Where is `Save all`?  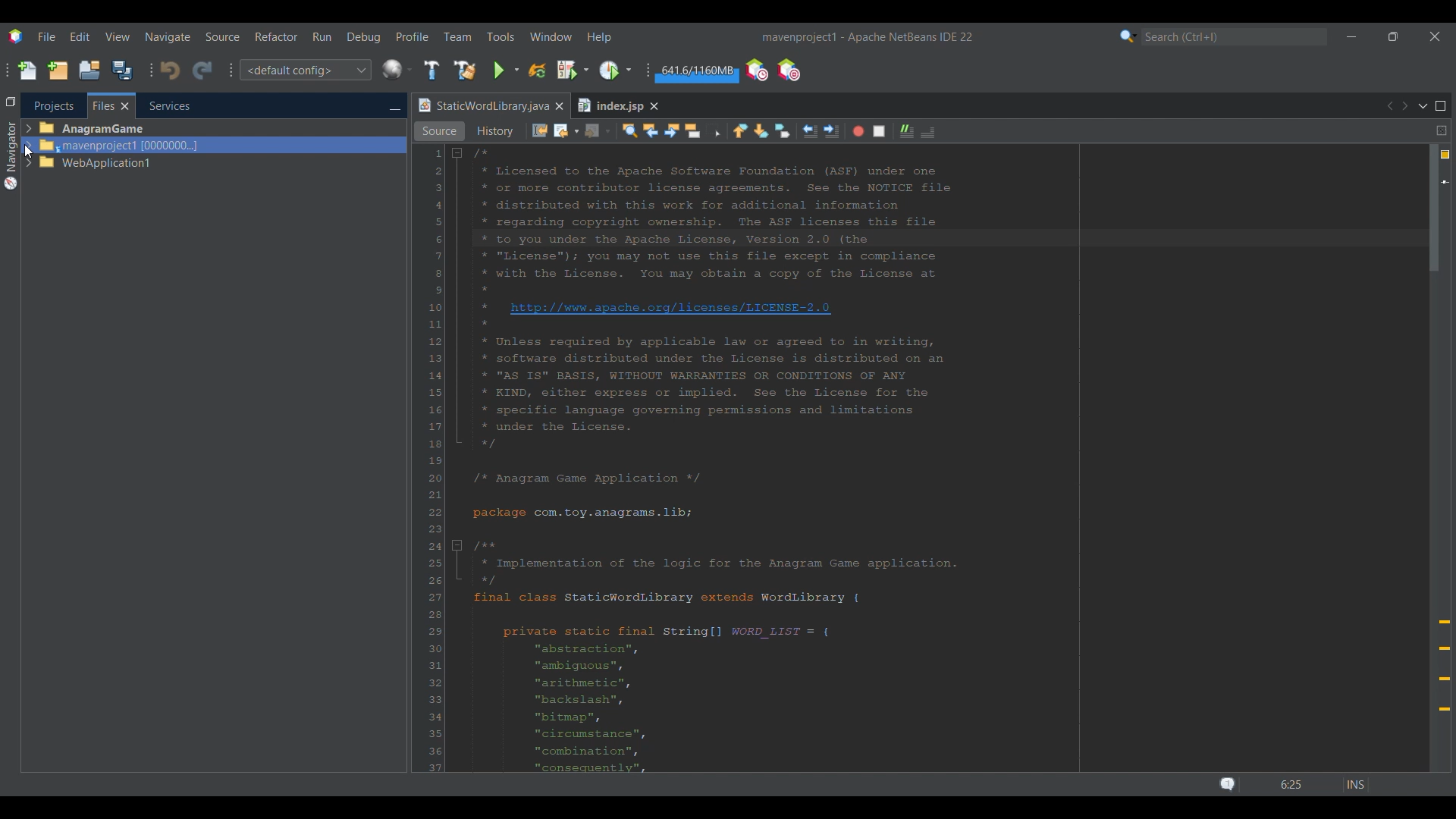
Save all is located at coordinates (122, 70).